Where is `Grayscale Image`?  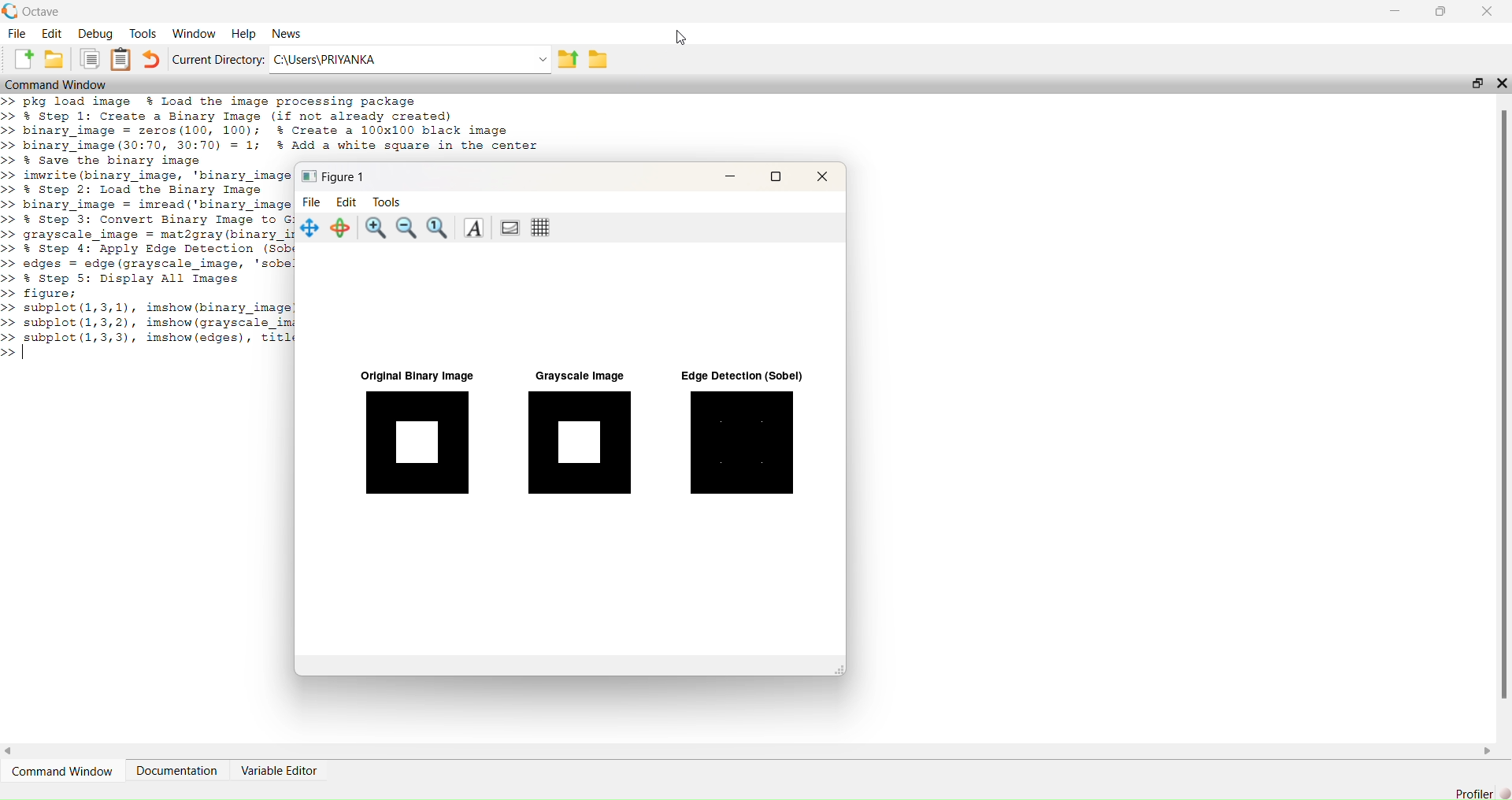 Grayscale Image is located at coordinates (580, 376).